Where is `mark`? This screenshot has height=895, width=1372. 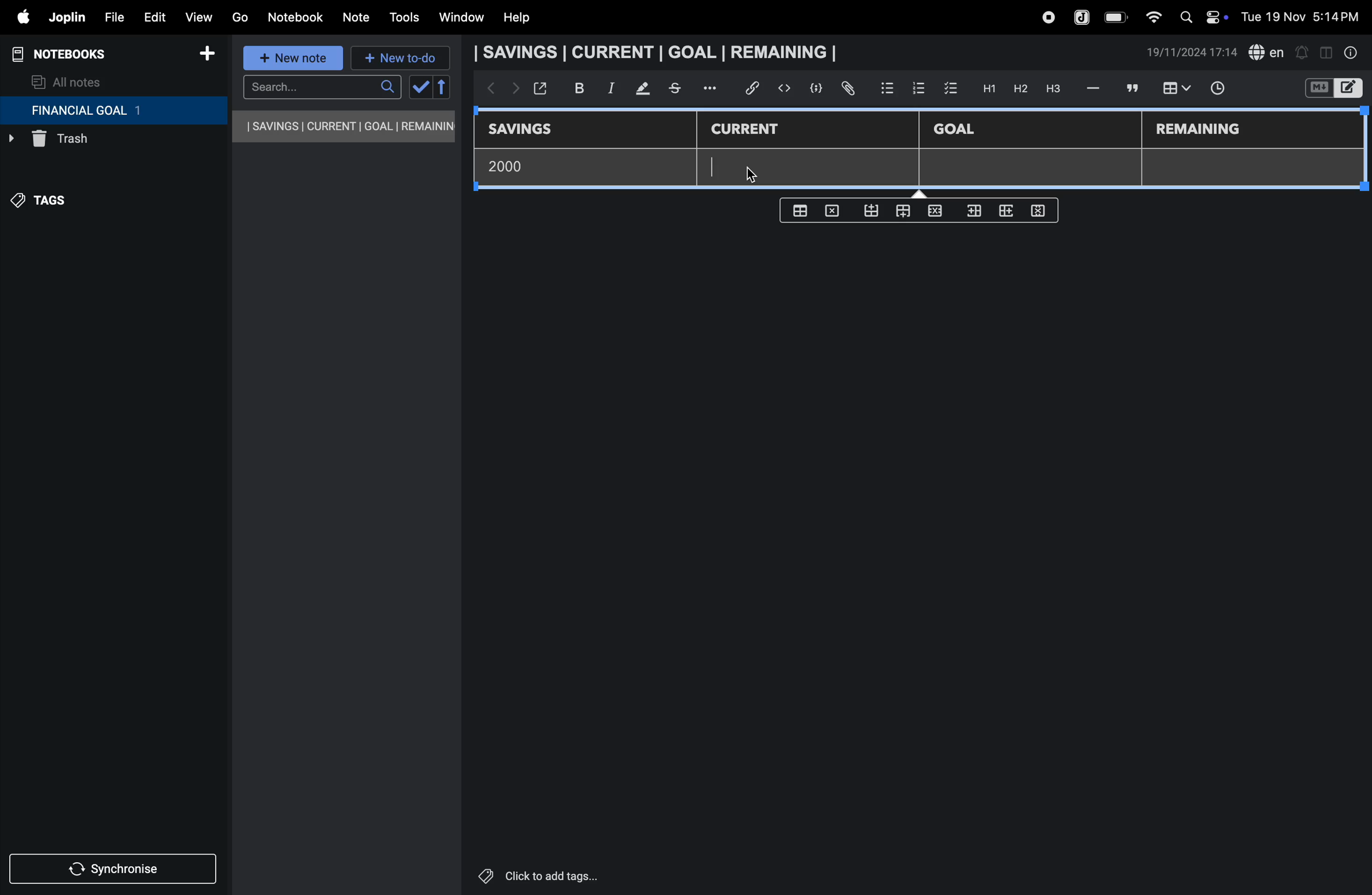 mark is located at coordinates (638, 89).